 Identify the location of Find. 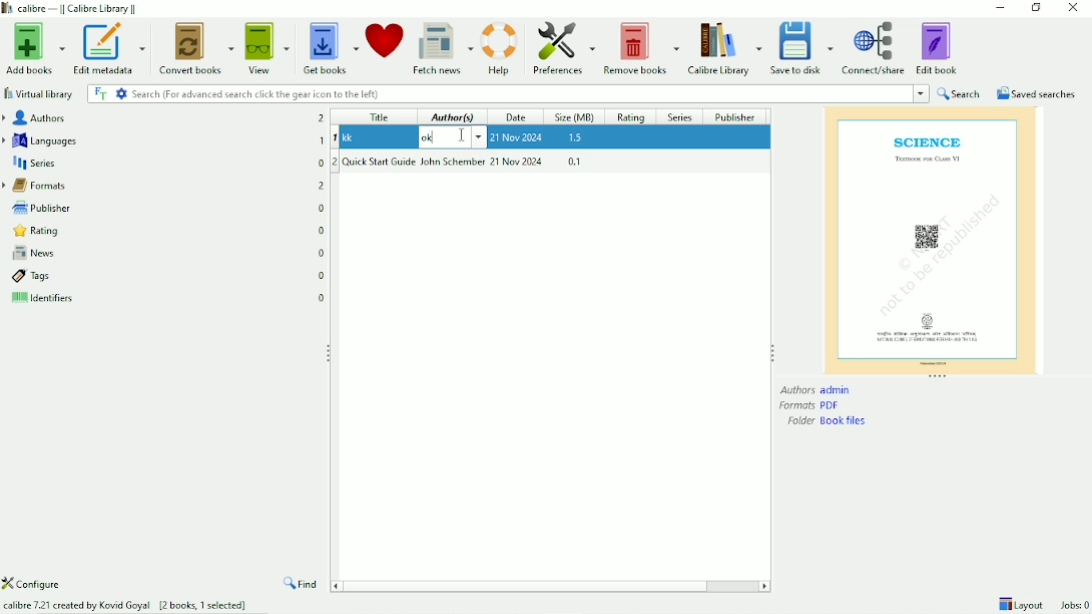
(300, 585).